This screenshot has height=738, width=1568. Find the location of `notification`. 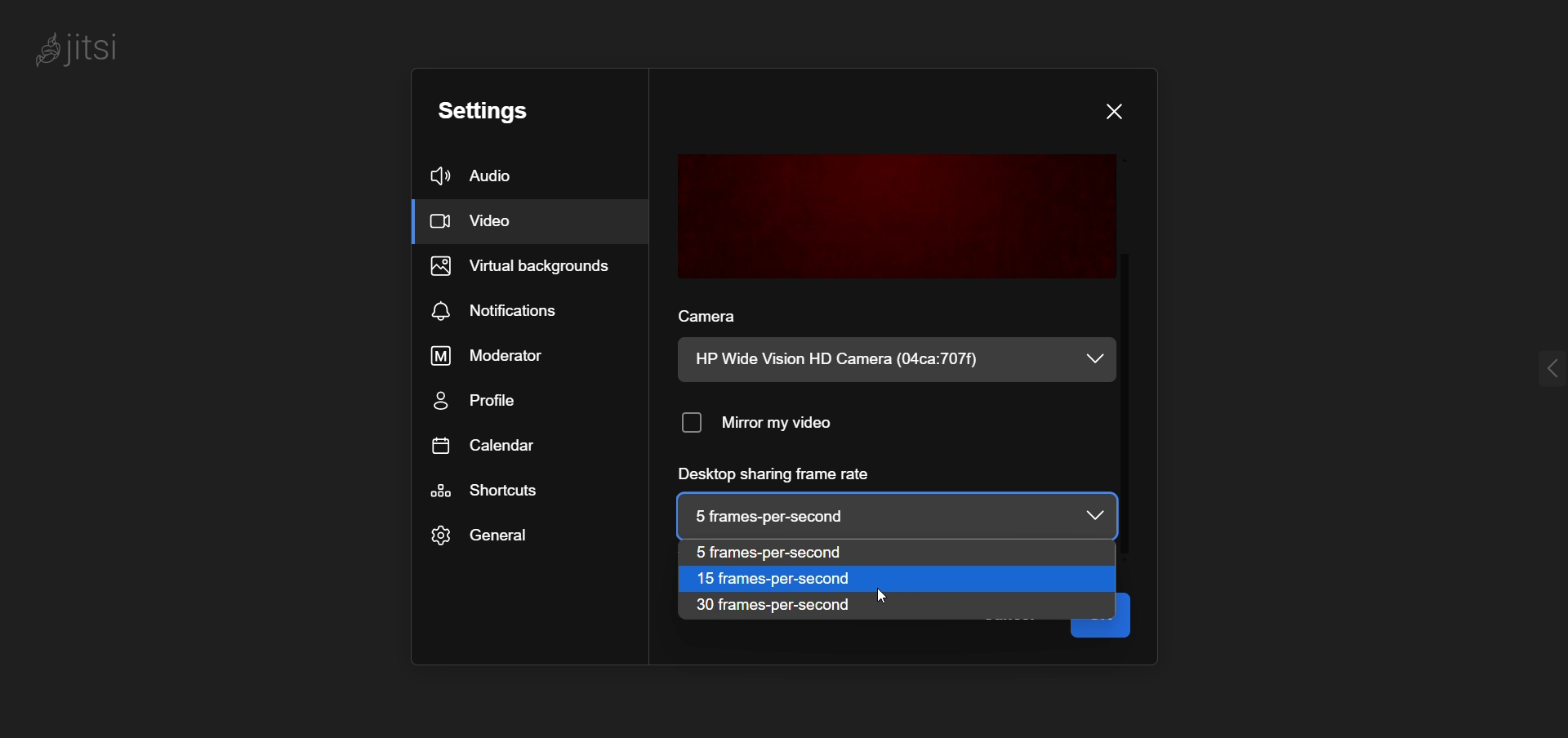

notification is located at coordinates (505, 309).